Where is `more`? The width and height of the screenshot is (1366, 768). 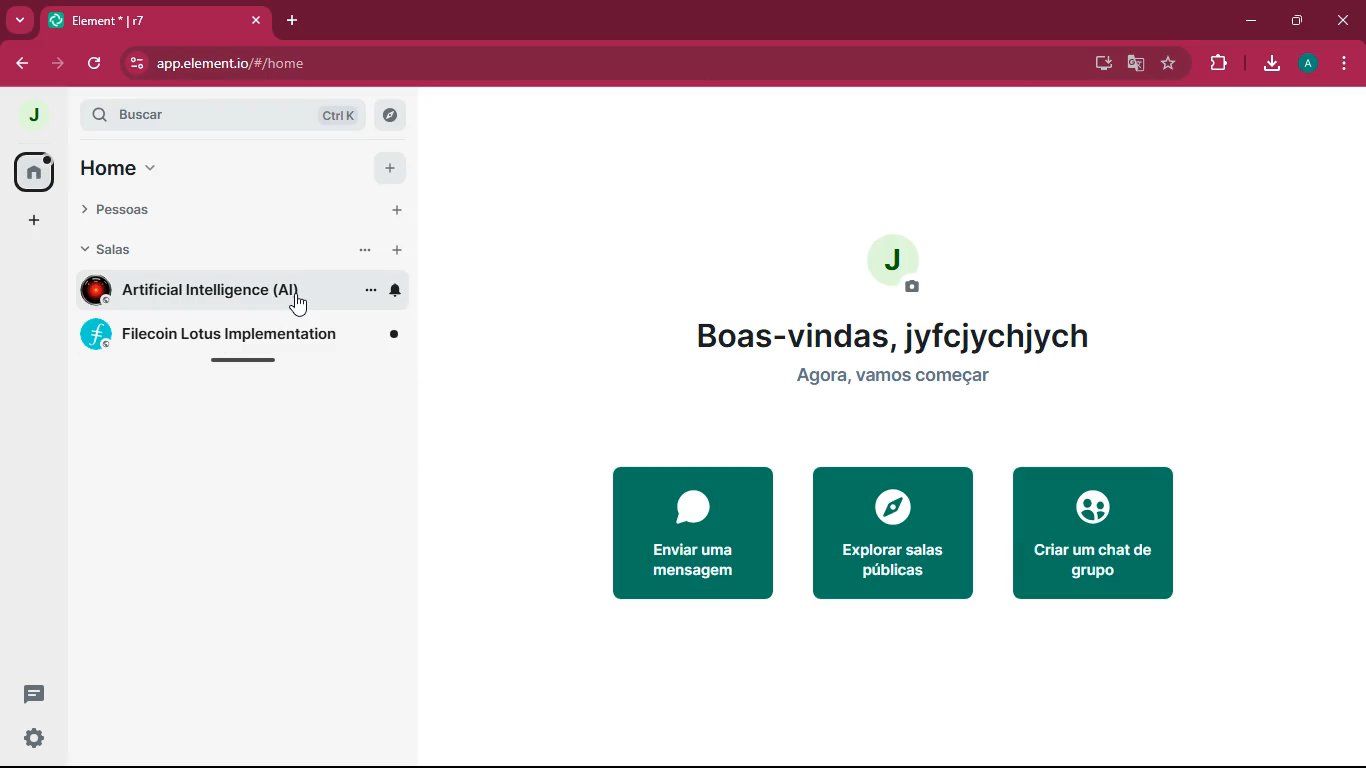 more is located at coordinates (18, 18).